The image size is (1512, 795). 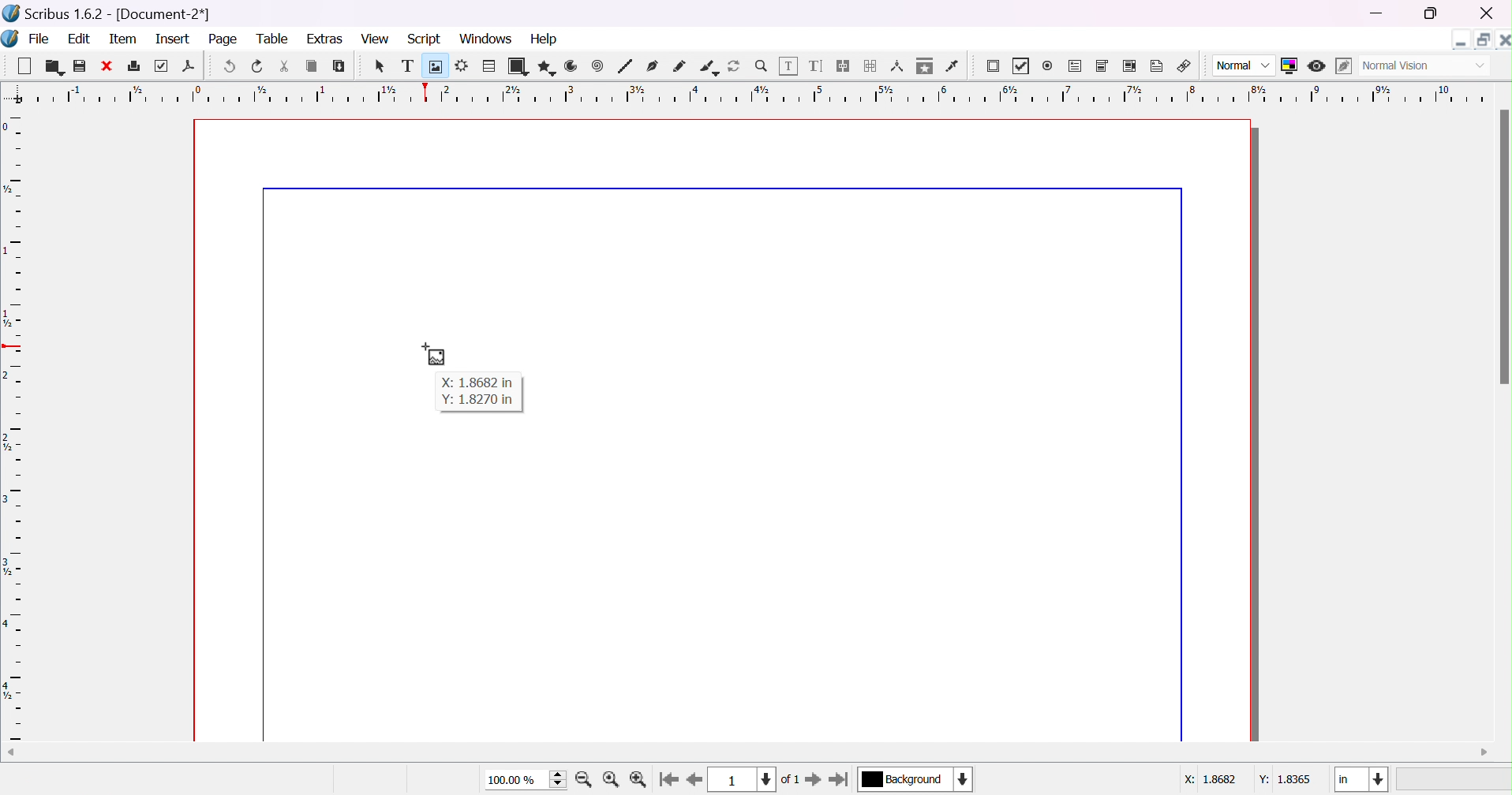 What do you see at coordinates (488, 64) in the screenshot?
I see `table` at bounding box center [488, 64].